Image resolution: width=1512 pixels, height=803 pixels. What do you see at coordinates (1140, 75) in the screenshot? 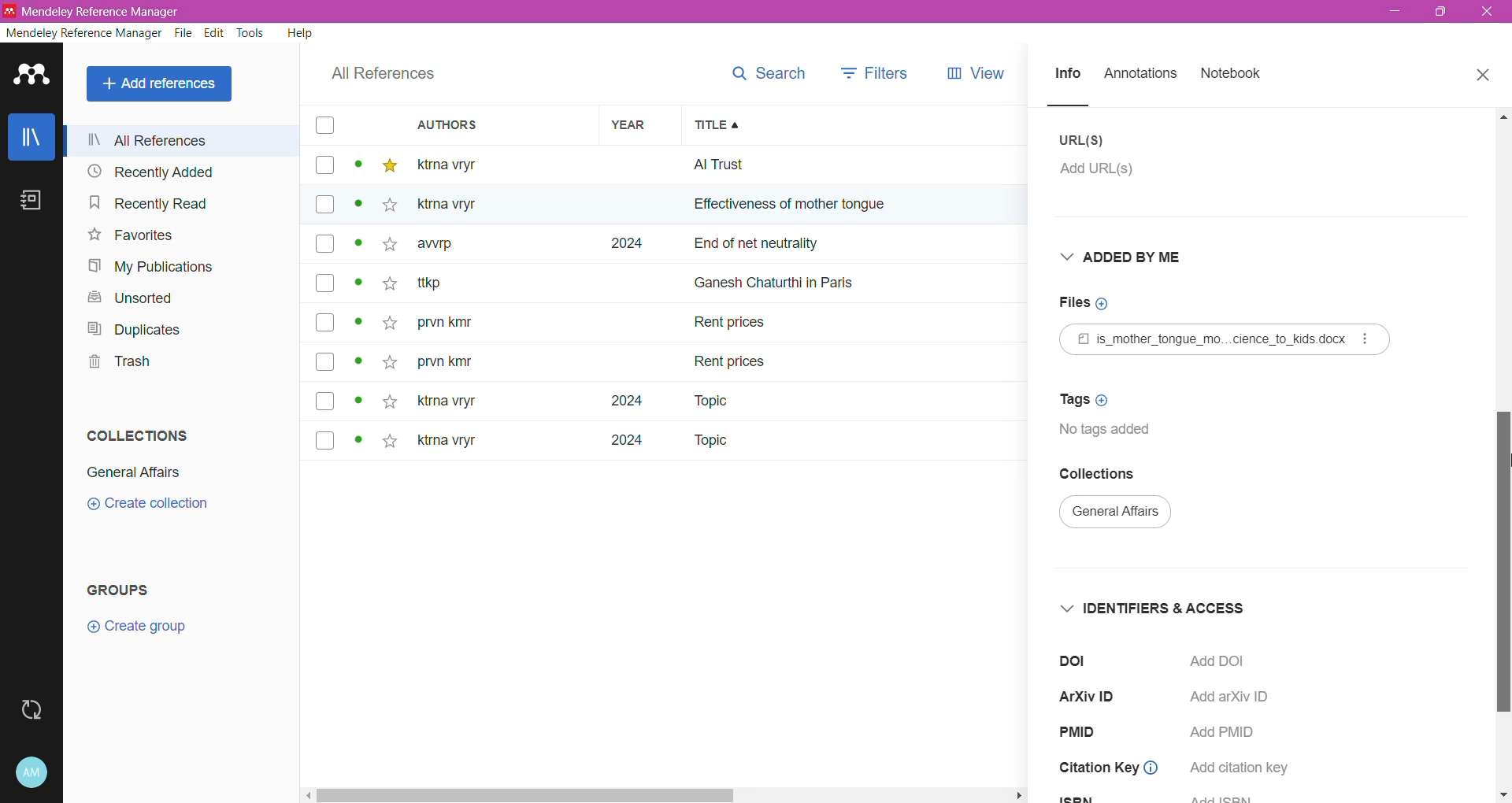
I see `Annotations` at bounding box center [1140, 75].